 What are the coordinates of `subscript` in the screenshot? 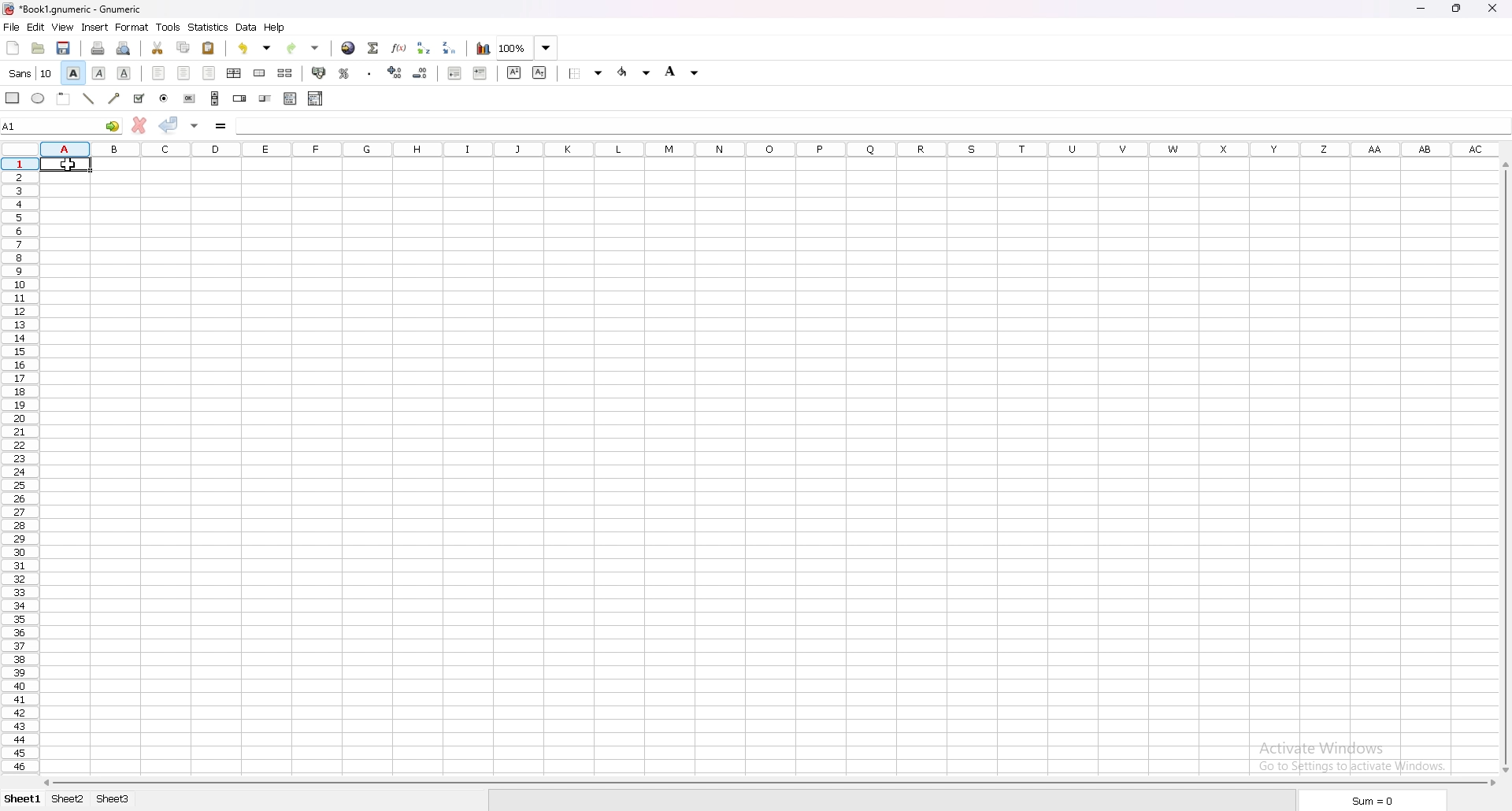 It's located at (540, 73).